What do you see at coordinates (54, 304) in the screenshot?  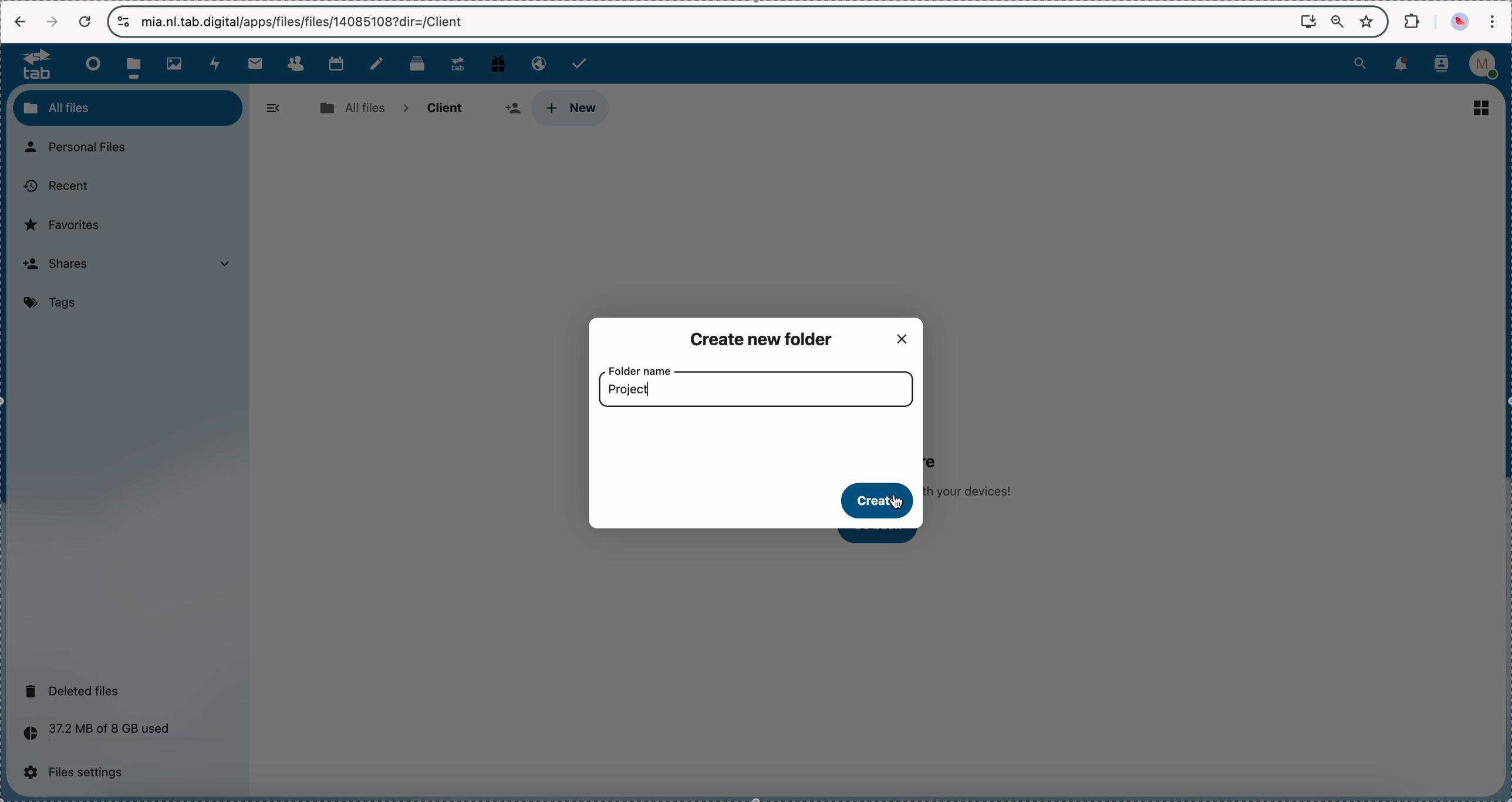 I see `tags` at bounding box center [54, 304].